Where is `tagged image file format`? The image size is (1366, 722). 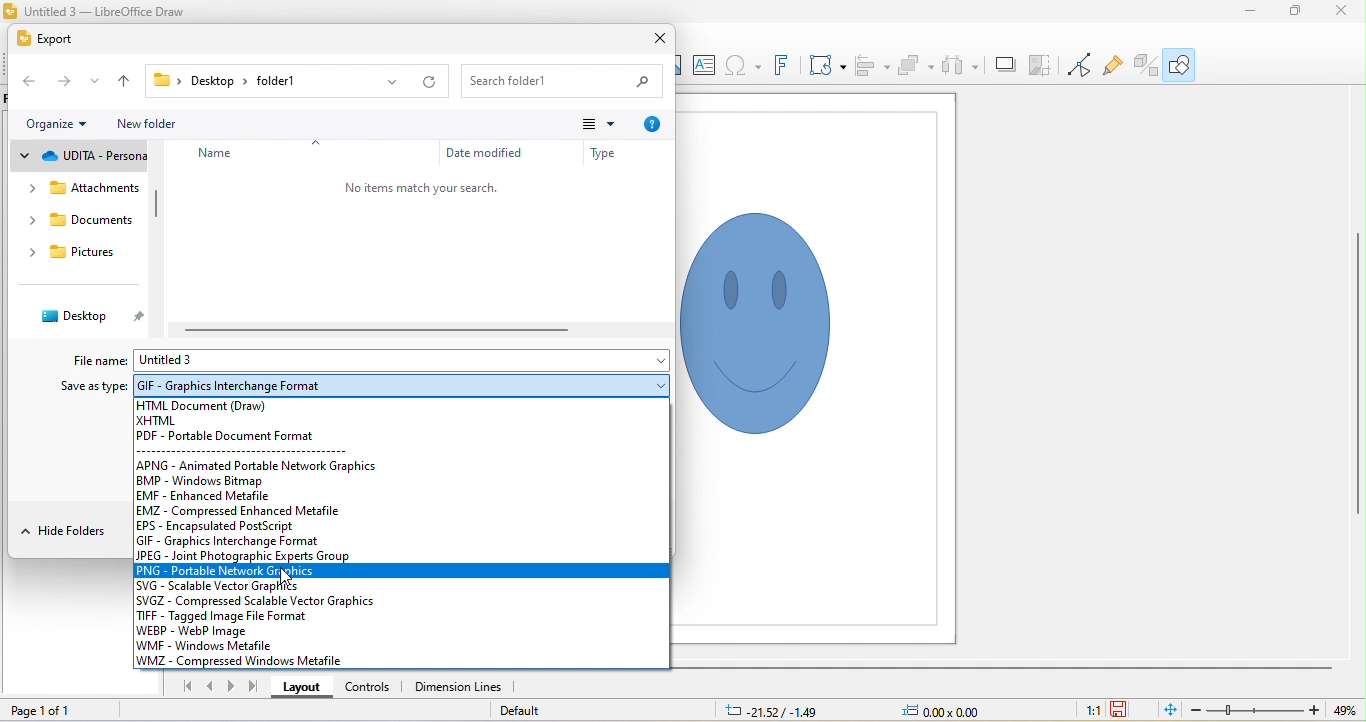
tagged image file format is located at coordinates (225, 615).